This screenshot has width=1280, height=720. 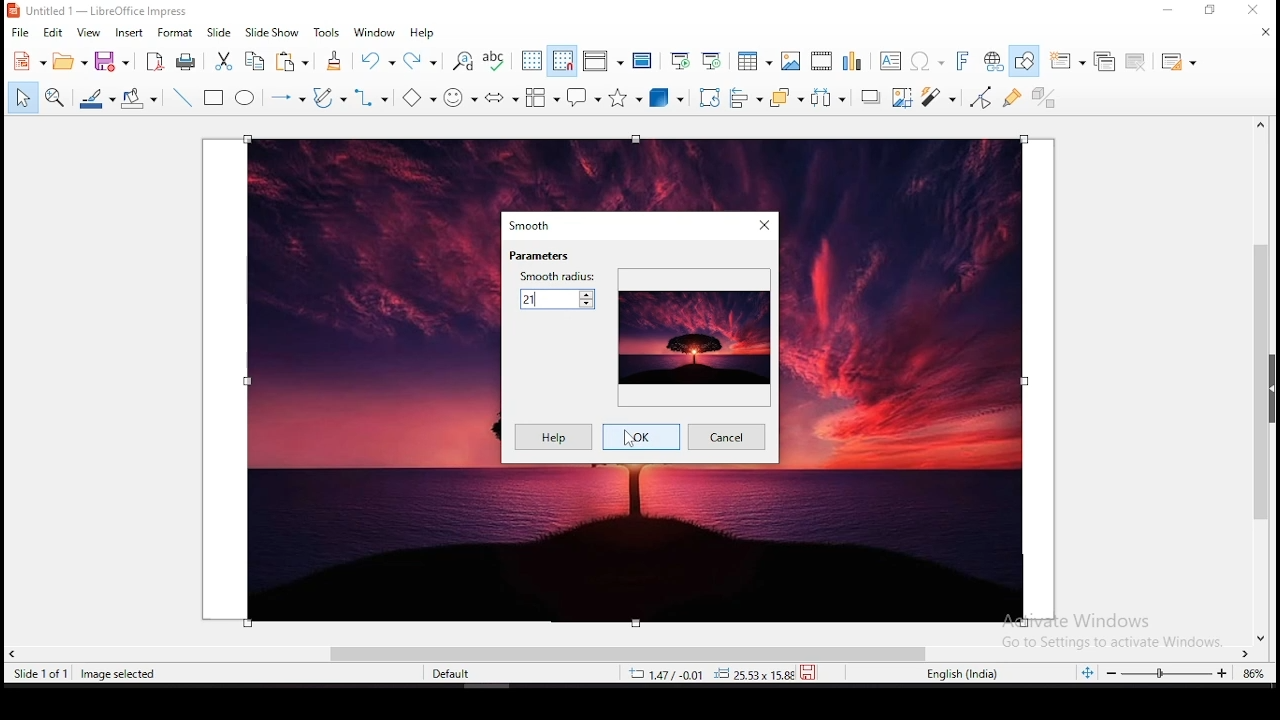 I want to click on insert special characters, so click(x=925, y=61).